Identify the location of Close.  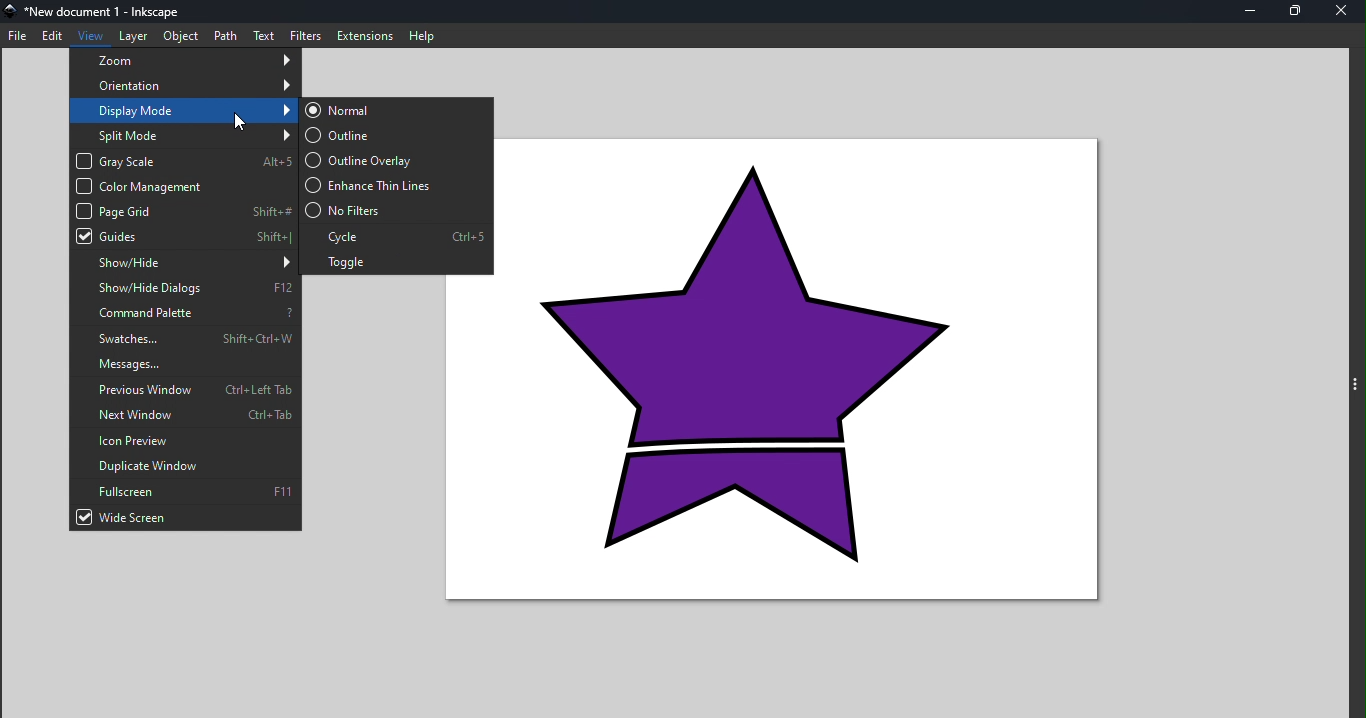
(1343, 13).